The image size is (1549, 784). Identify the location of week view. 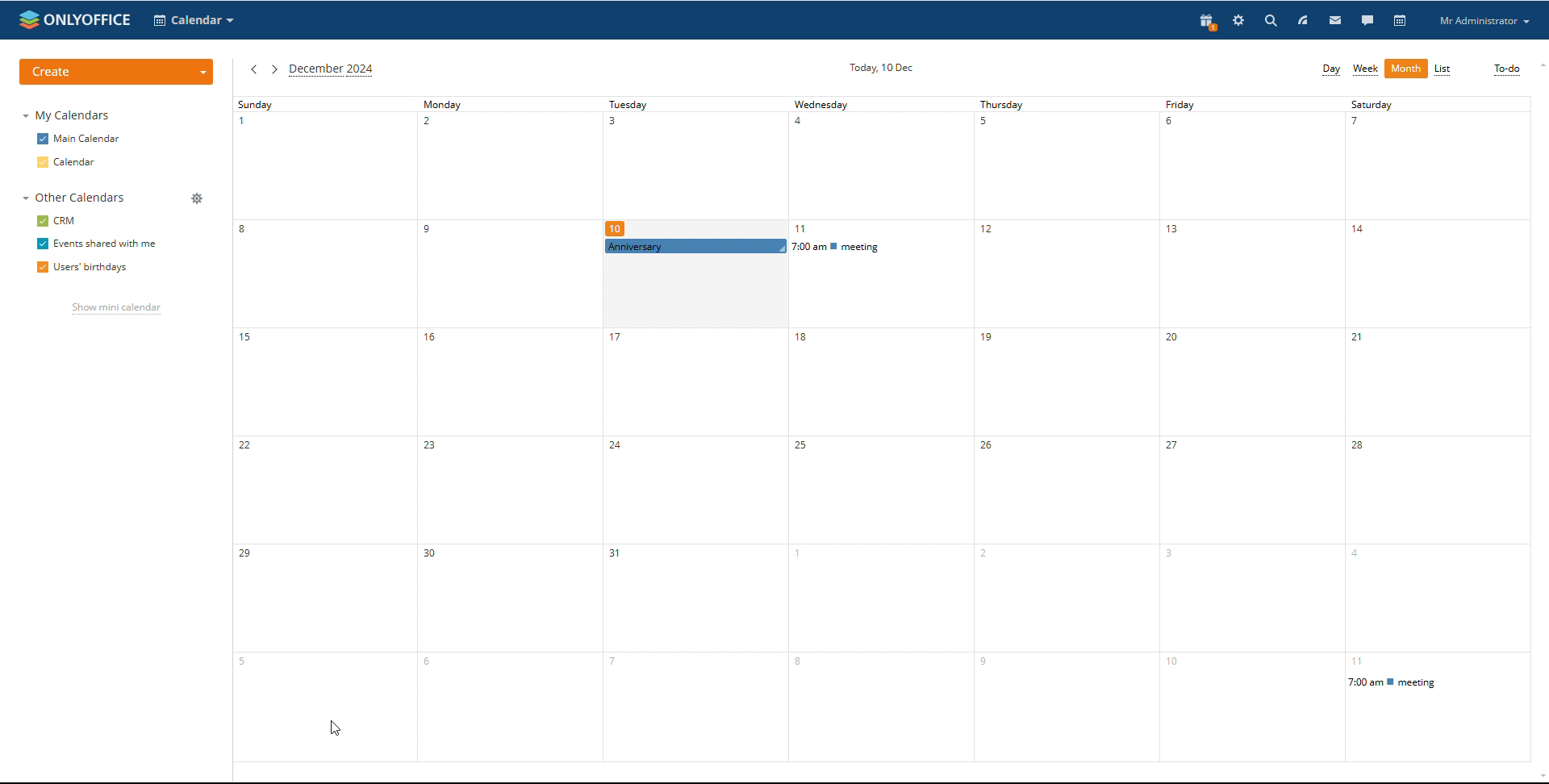
(1366, 69).